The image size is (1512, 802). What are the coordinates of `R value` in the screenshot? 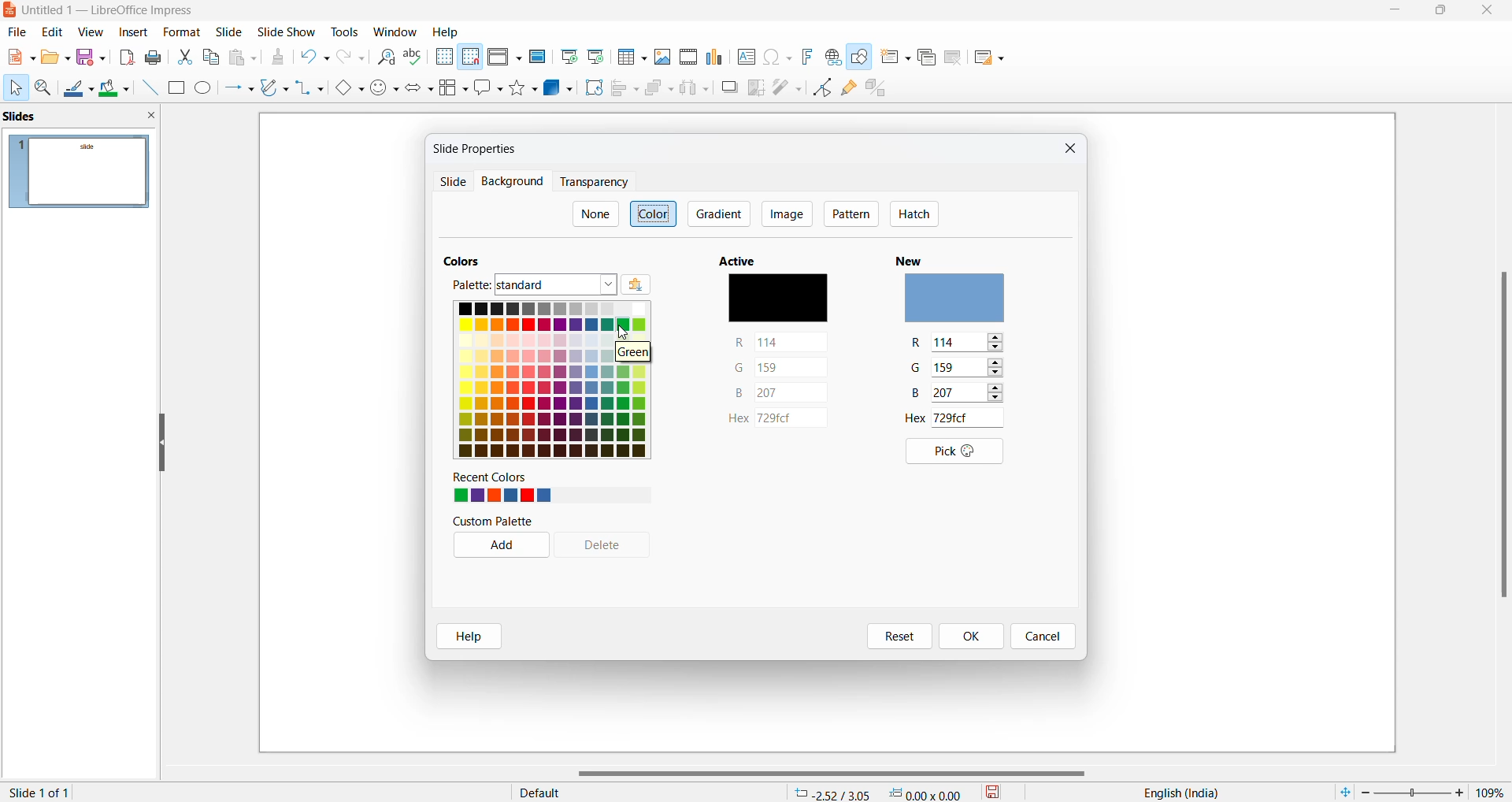 It's located at (919, 344).